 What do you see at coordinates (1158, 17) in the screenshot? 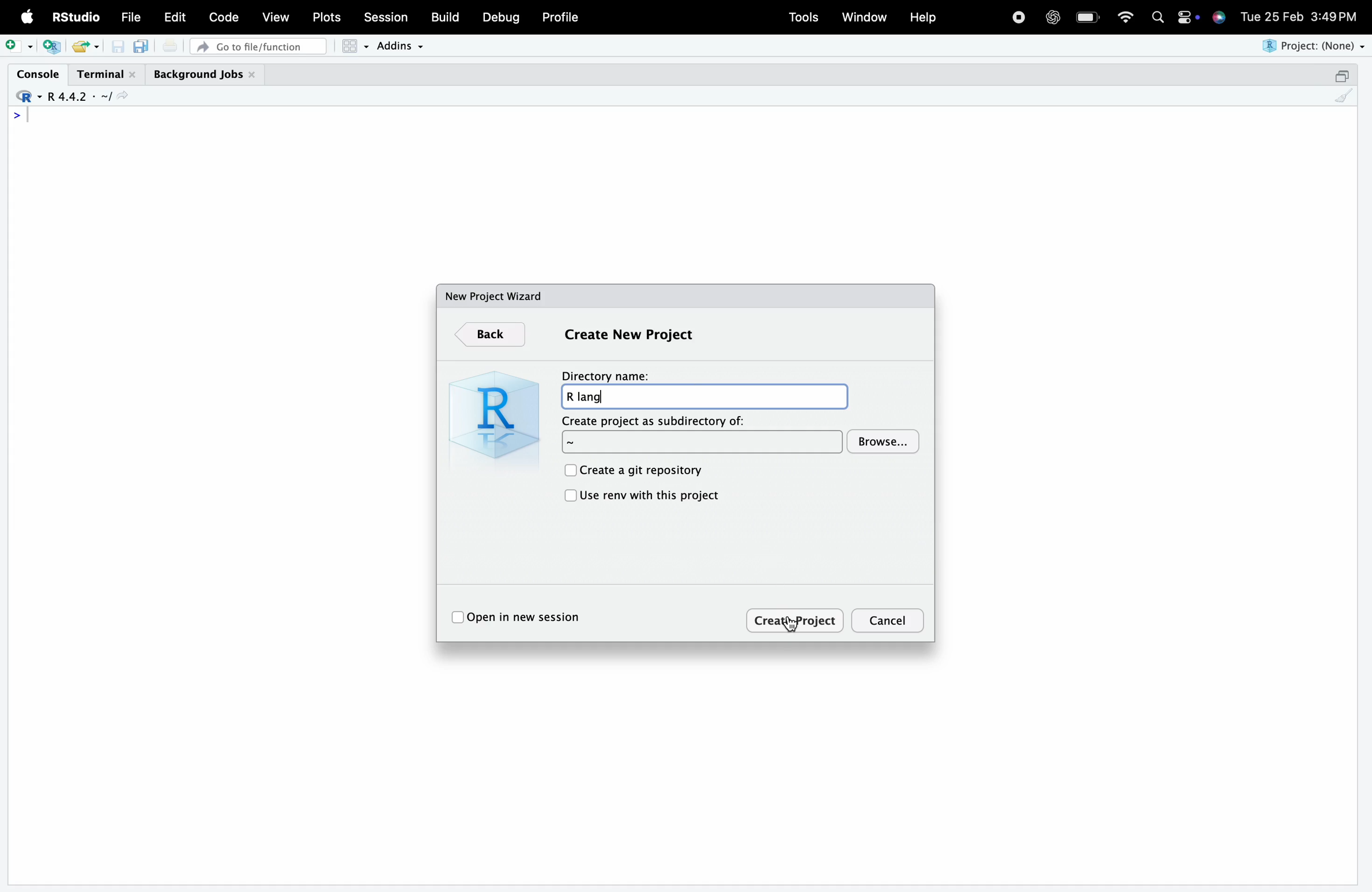
I see `search` at bounding box center [1158, 17].